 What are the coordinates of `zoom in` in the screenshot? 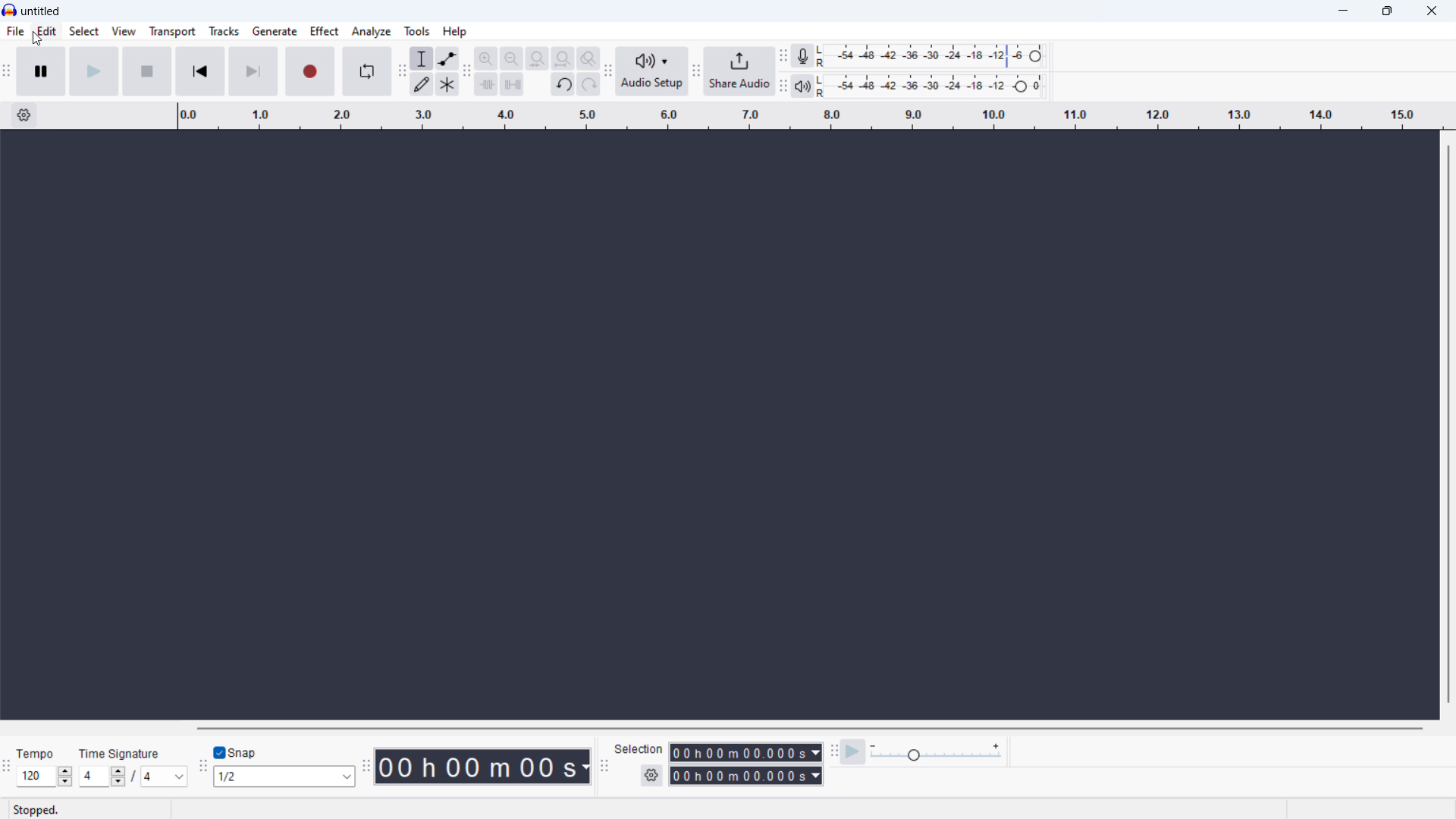 It's located at (485, 58).